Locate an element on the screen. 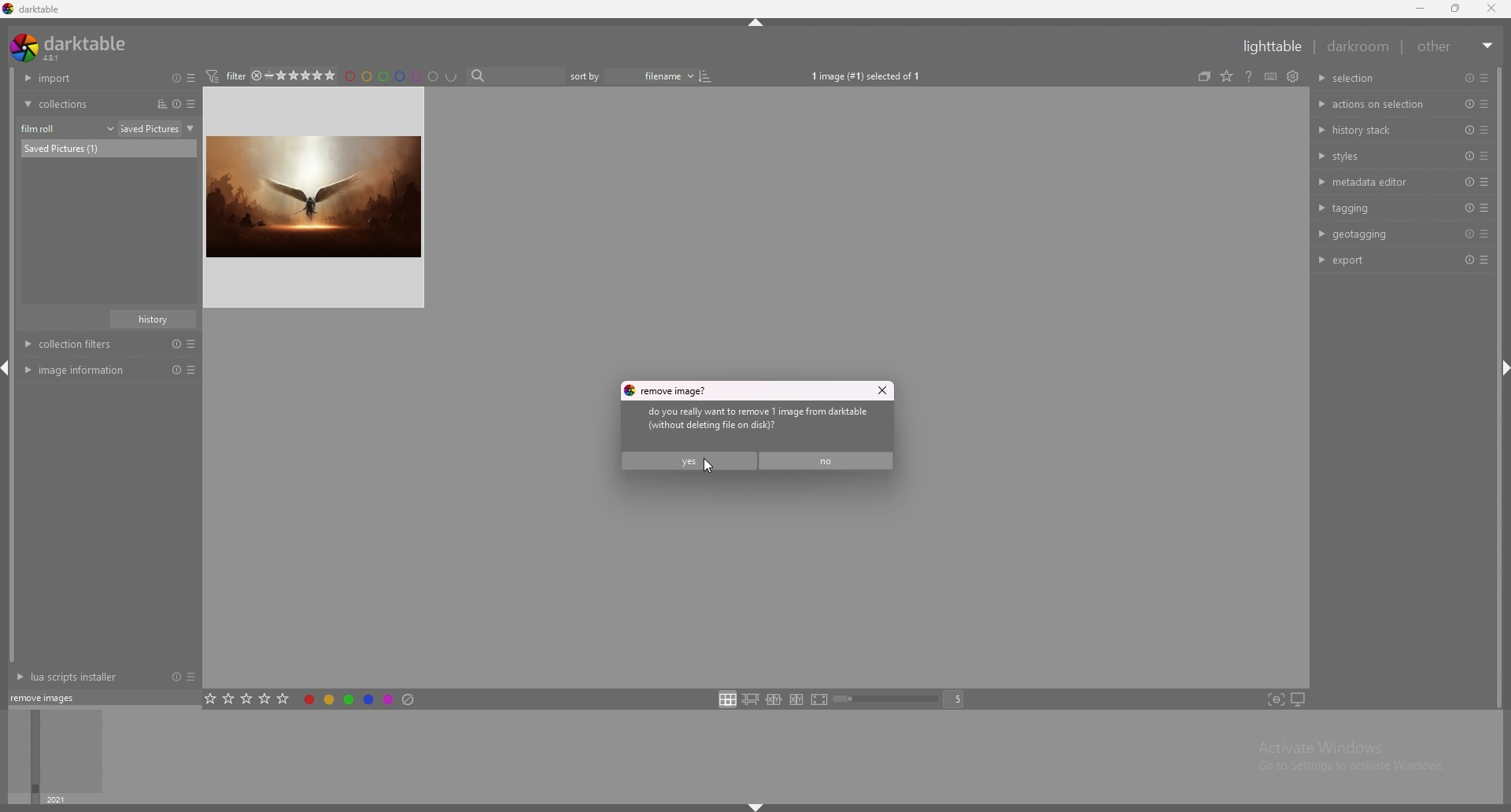 The image size is (1511, 812). hide is located at coordinates (755, 25).